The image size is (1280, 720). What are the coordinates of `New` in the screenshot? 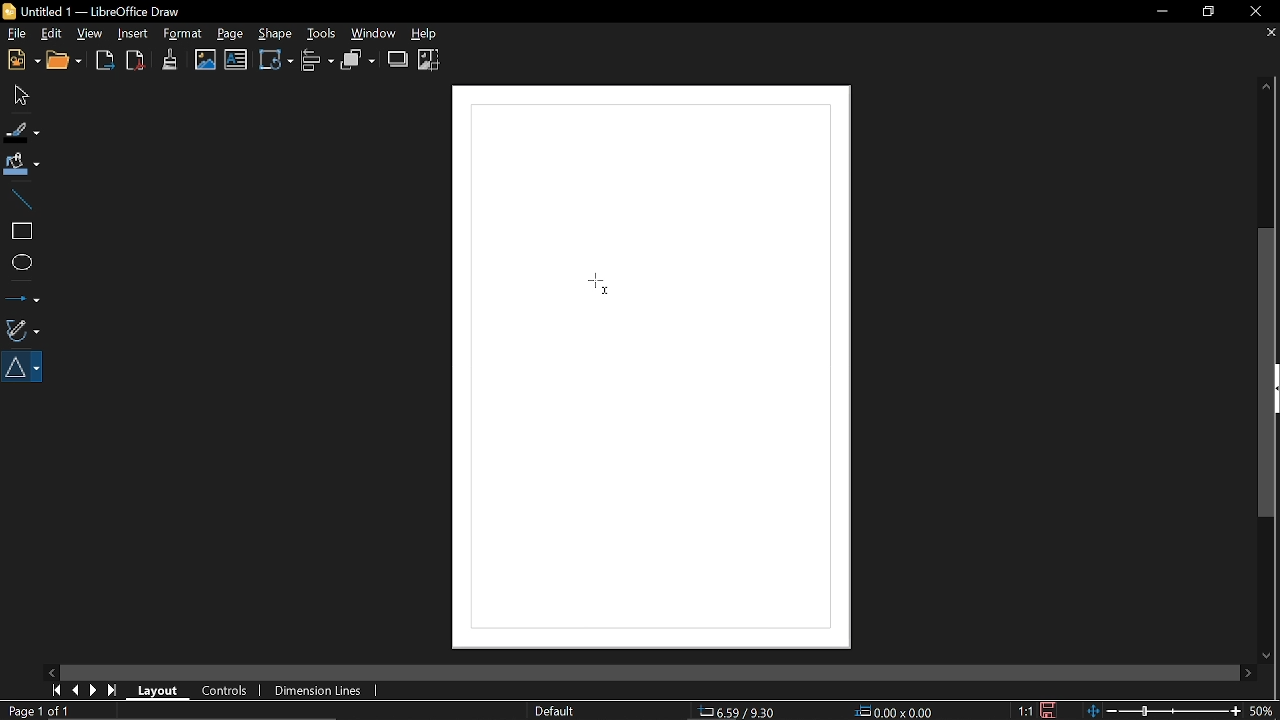 It's located at (21, 61).